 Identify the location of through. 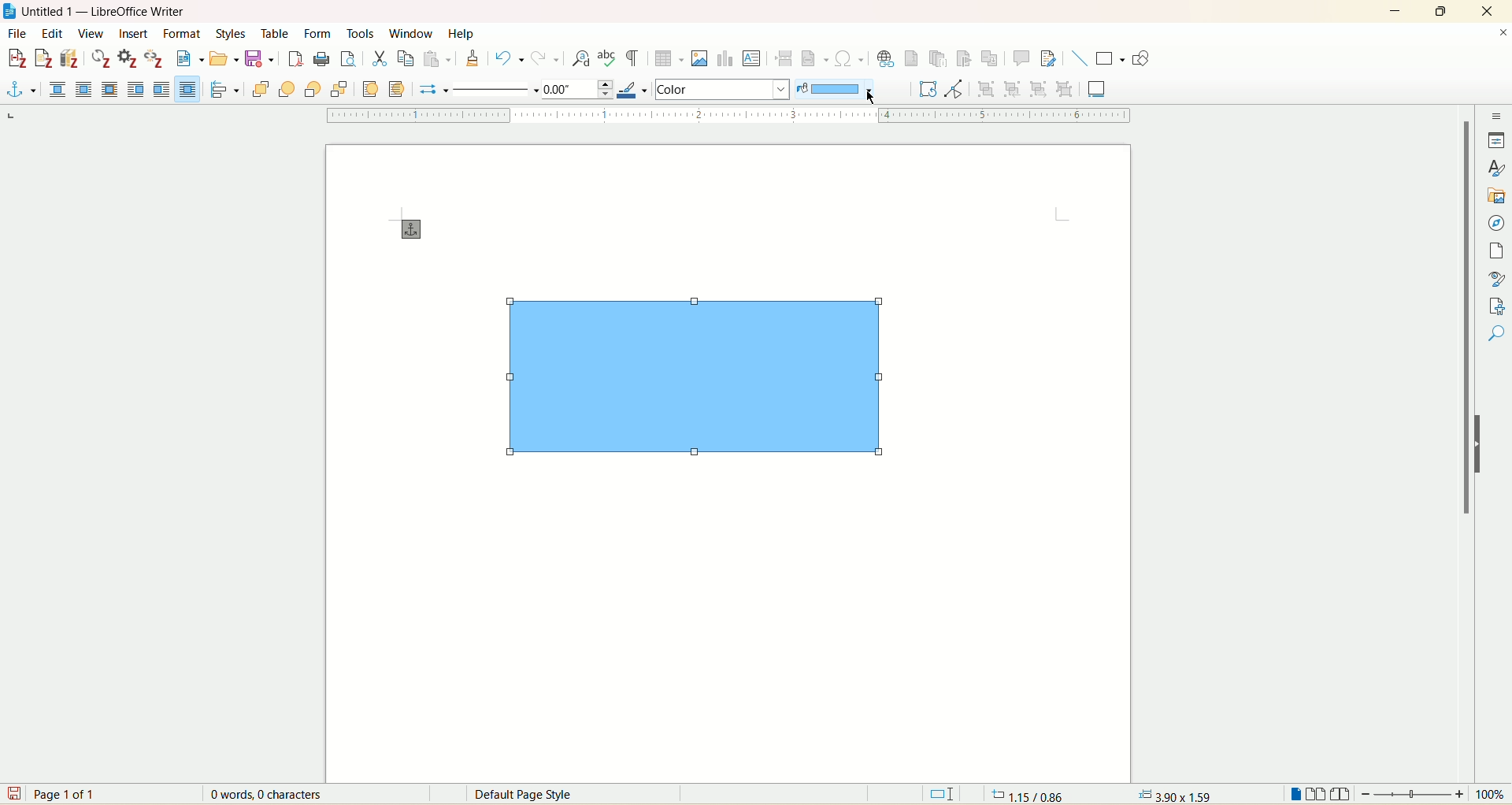
(187, 89).